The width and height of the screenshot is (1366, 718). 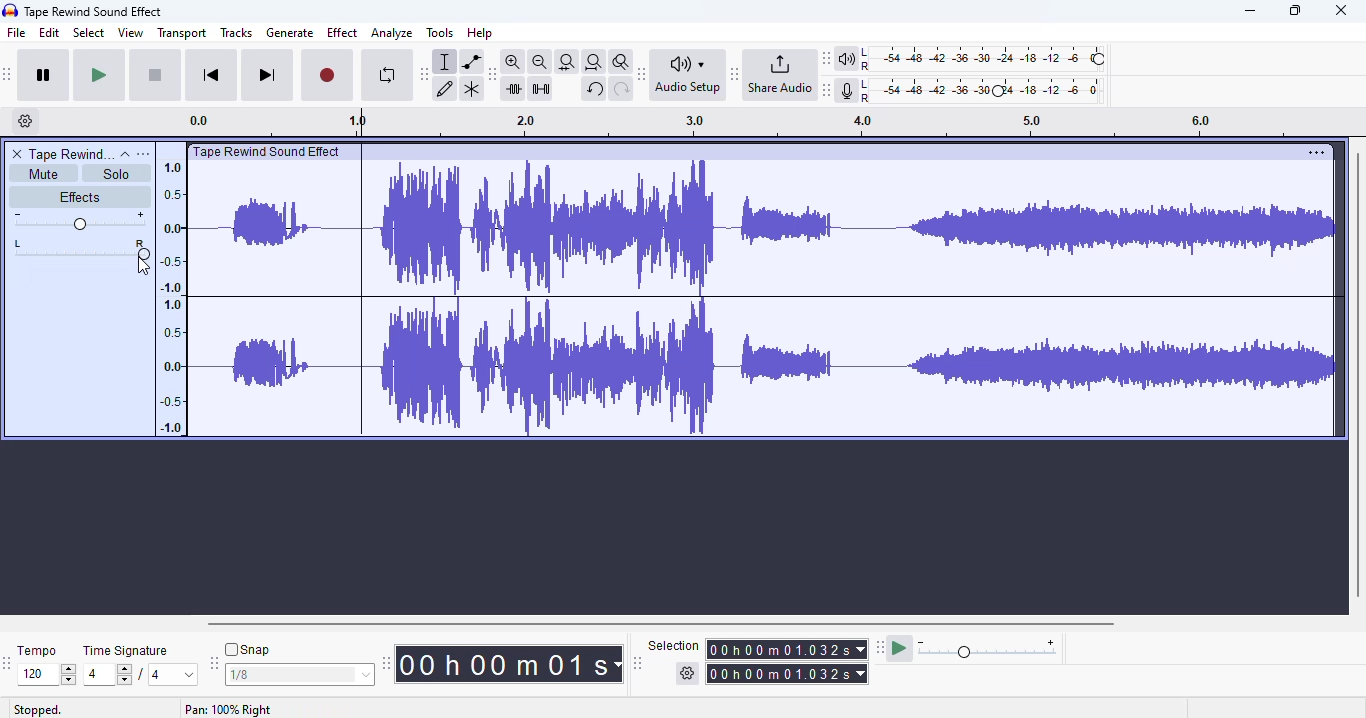 I want to click on open menu, so click(x=143, y=154).